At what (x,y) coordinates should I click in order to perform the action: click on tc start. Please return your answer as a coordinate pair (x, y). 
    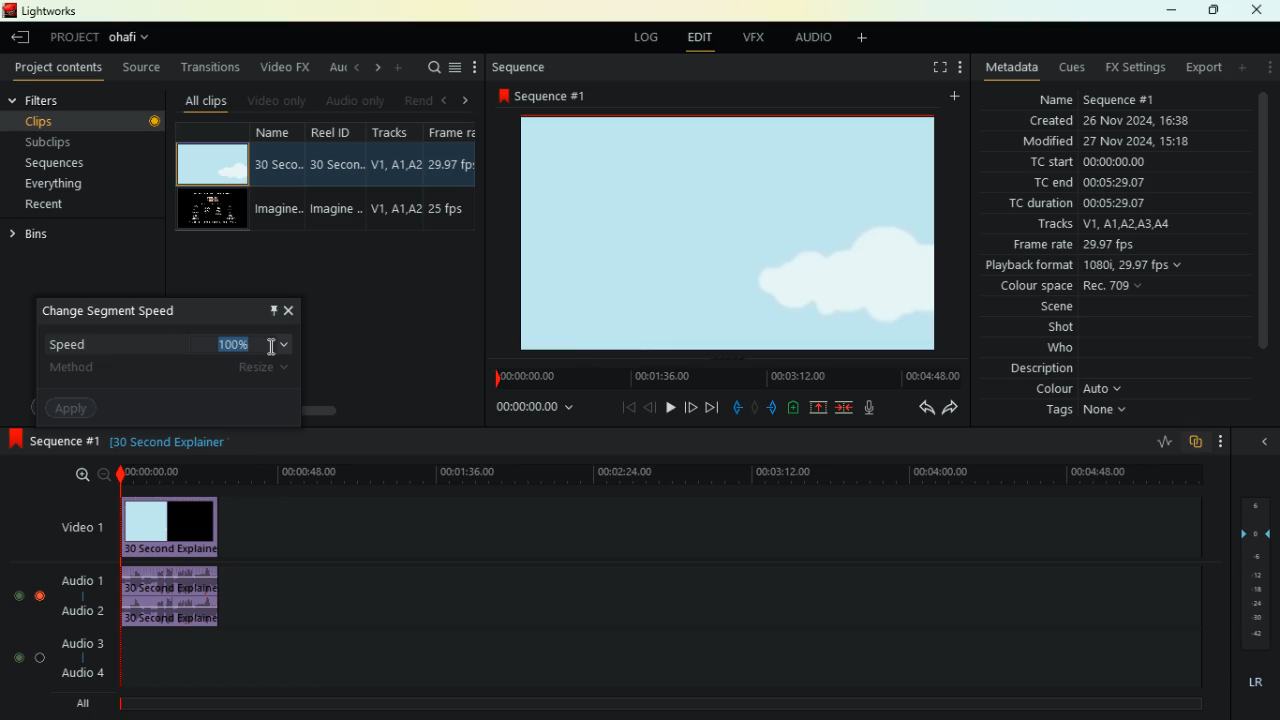
    Looking at the image, I should click on (1112, 161).